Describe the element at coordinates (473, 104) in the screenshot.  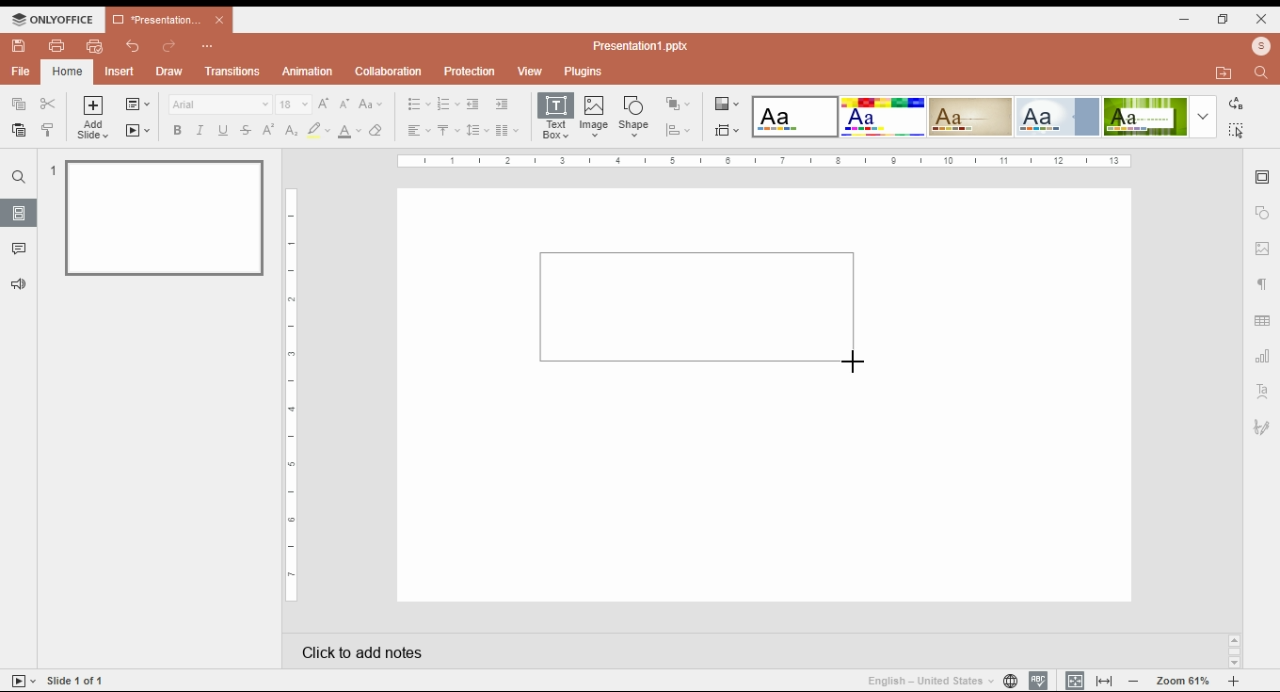
I see `decrease indent` at that location.